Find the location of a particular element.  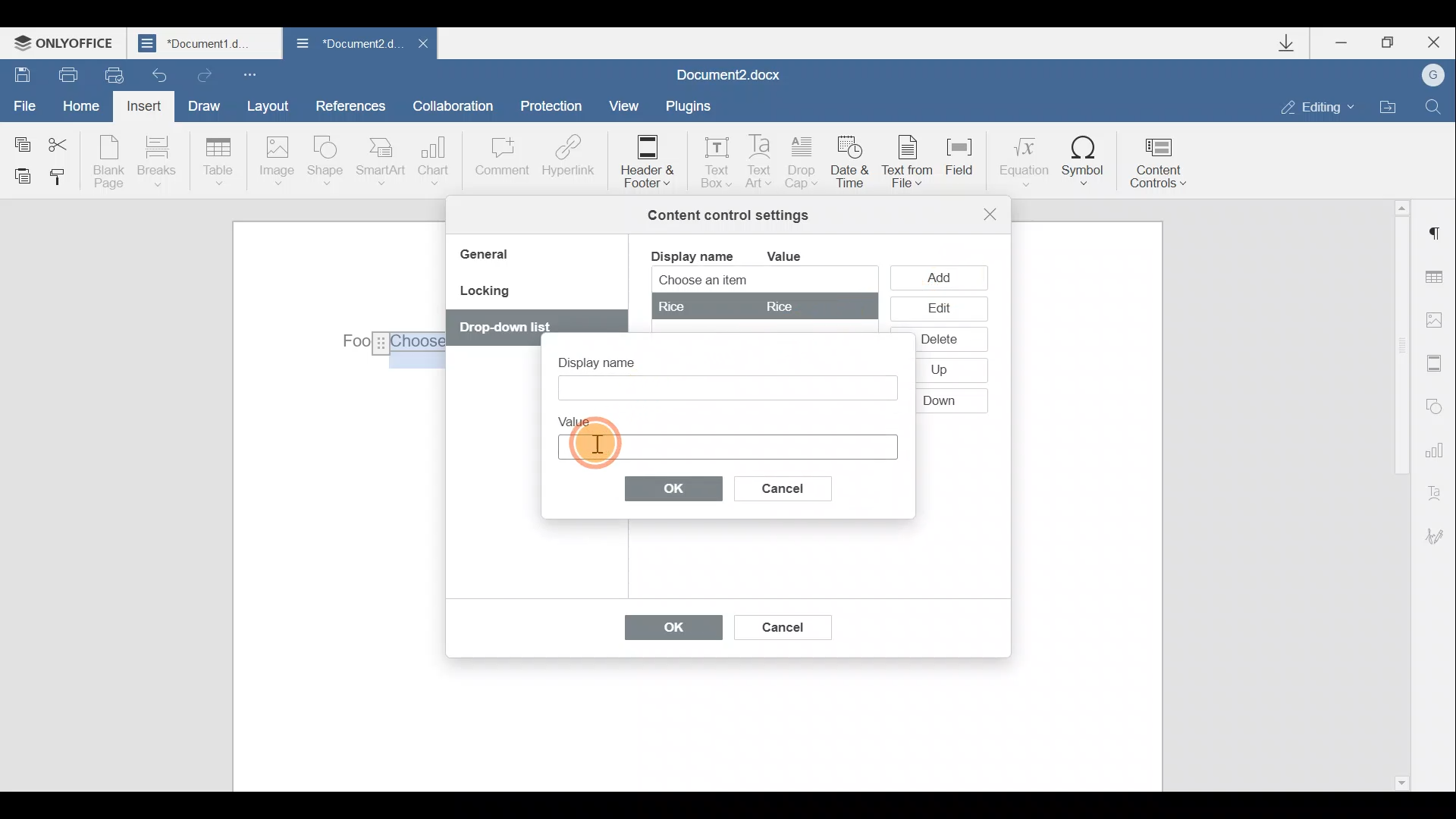

Chart is located at coordinates (437, 161).